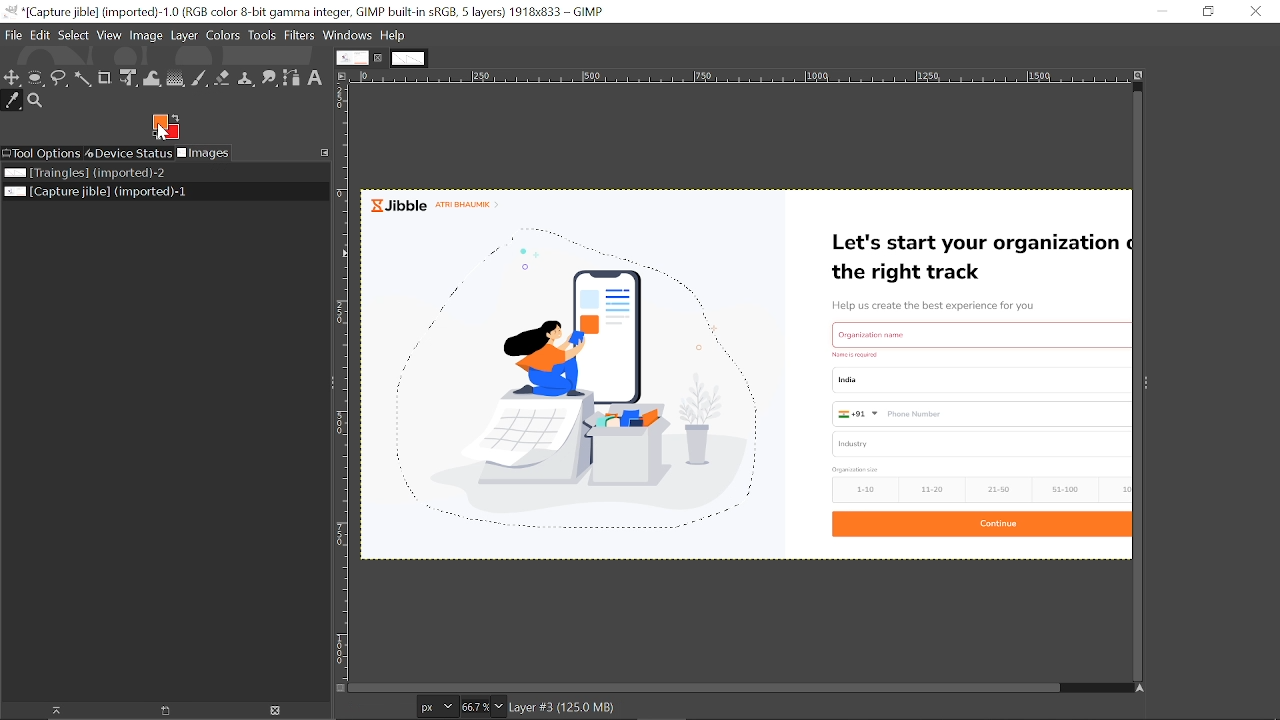 The width and height of the screenshot is (1280, 720). I want to click on Zoom image when window size changes, so click(1138, 75).